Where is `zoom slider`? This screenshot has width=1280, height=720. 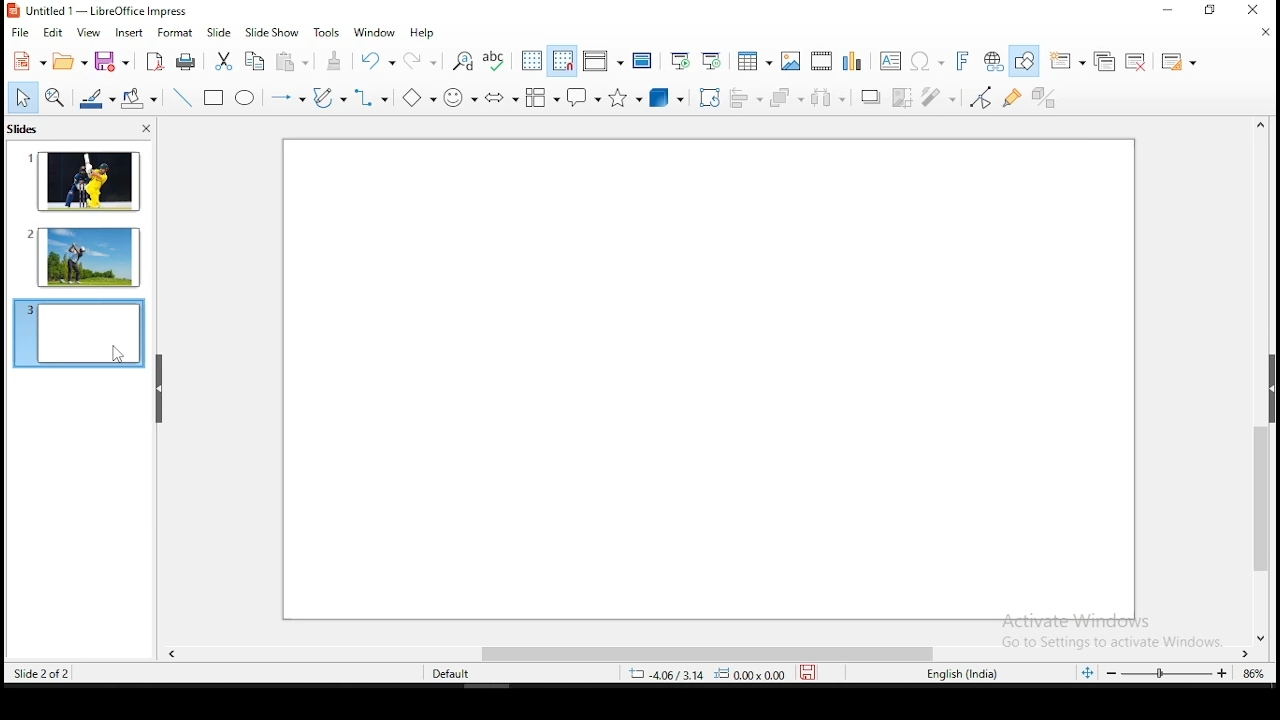
zoom slider is located at coordinates (1166, 674).